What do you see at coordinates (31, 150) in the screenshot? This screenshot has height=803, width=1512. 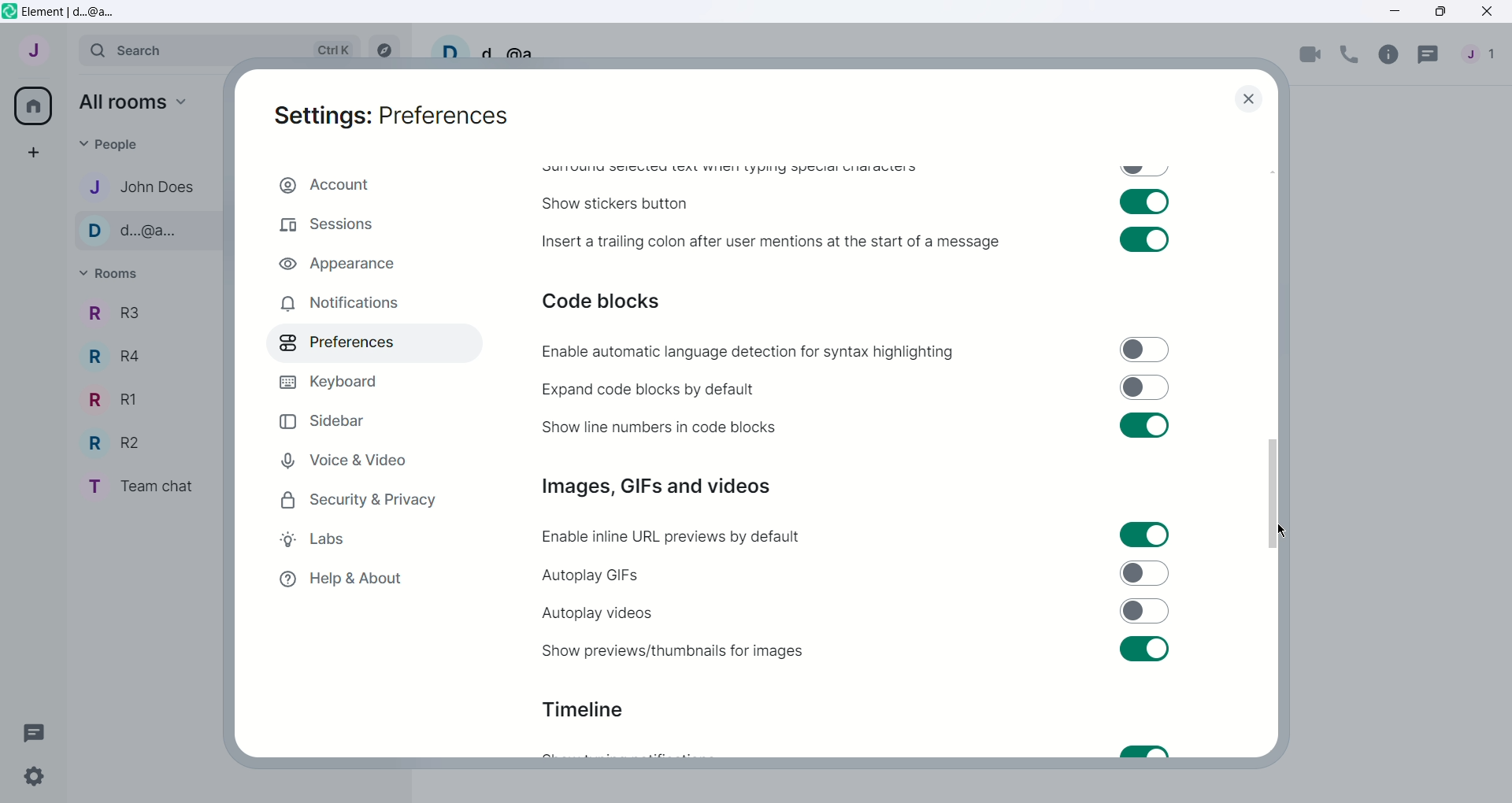 I see `Create a space` at bounding box center [31, 150].